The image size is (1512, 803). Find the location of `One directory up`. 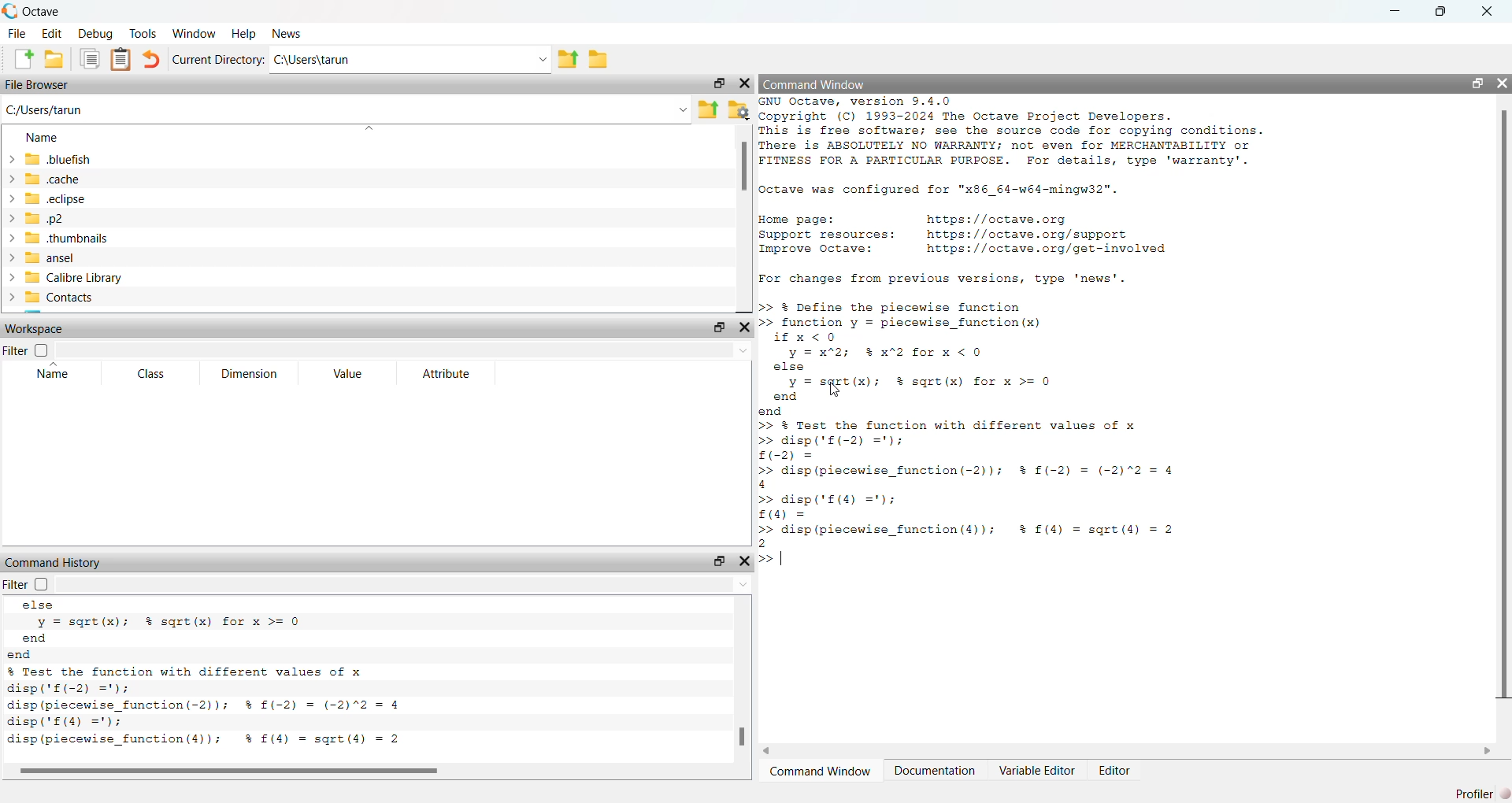

One directory up is located at coordinates (707, 109).